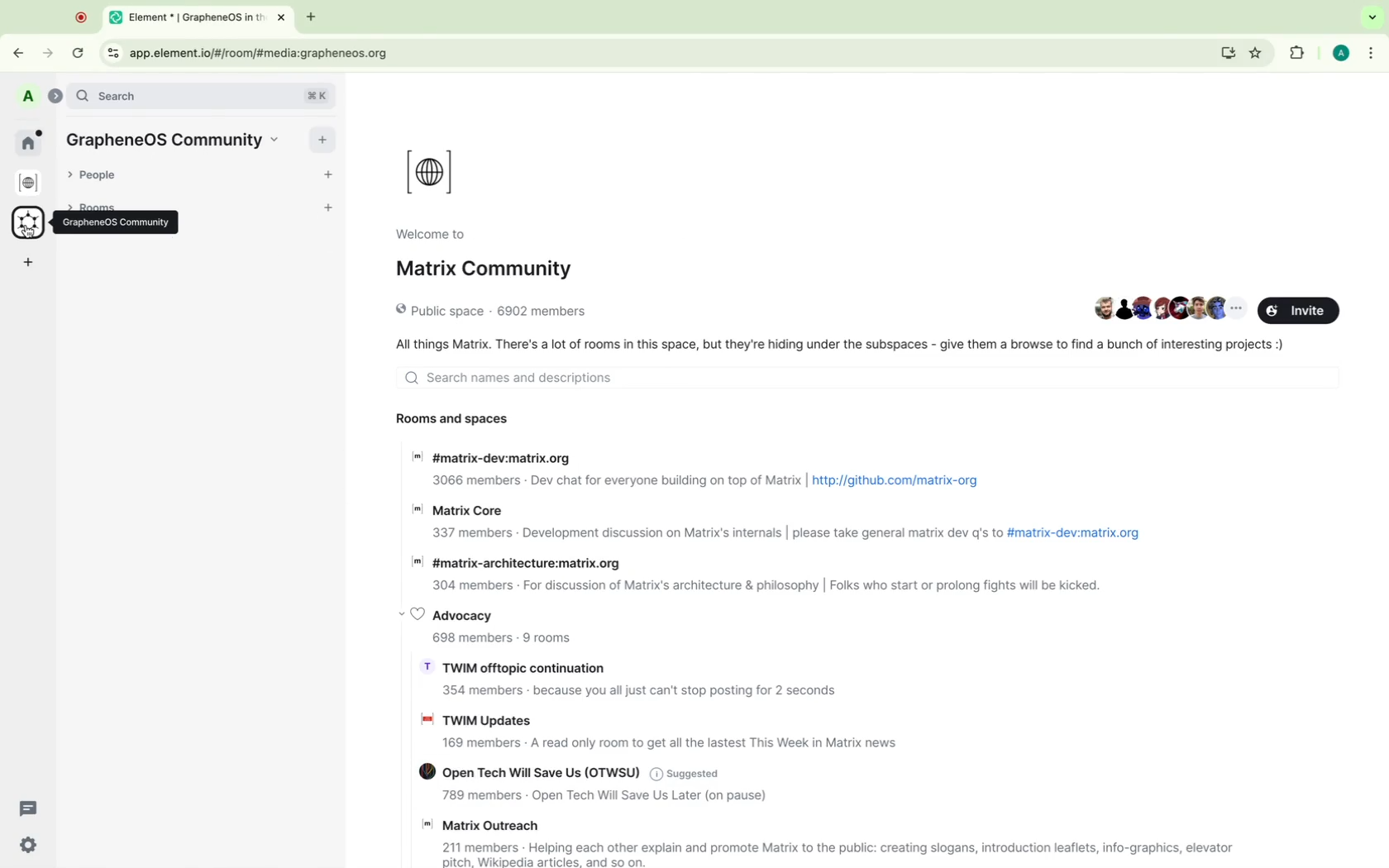 The height and width of the screenshot is (868, 1389). What do you see at coordinates (1148, 309) in the screenshot?
I see `members photos` at bounding box center [1148, 309].